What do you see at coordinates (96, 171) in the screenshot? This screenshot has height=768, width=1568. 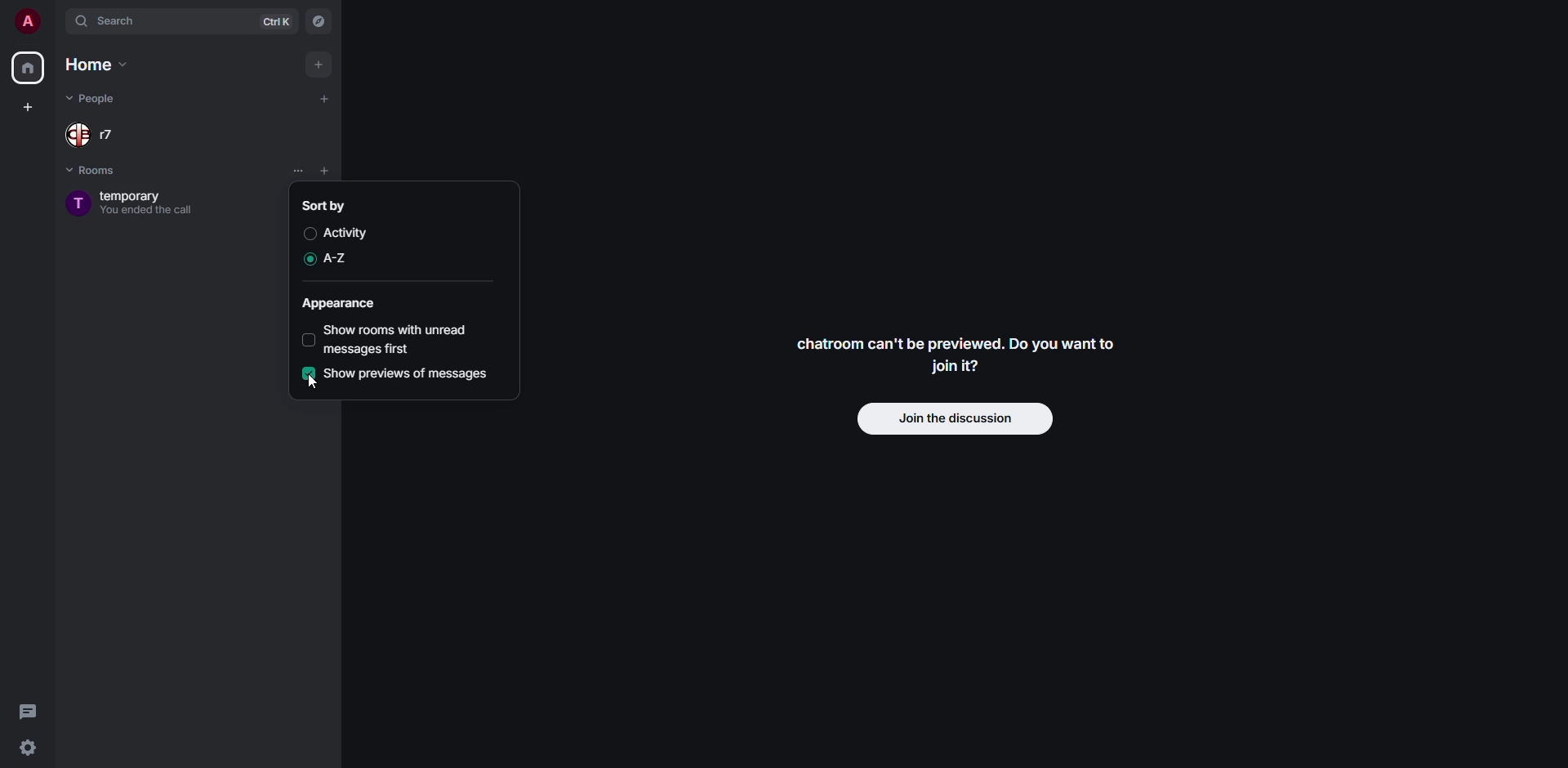 I see `rooms` at bounding box center [96, 171].